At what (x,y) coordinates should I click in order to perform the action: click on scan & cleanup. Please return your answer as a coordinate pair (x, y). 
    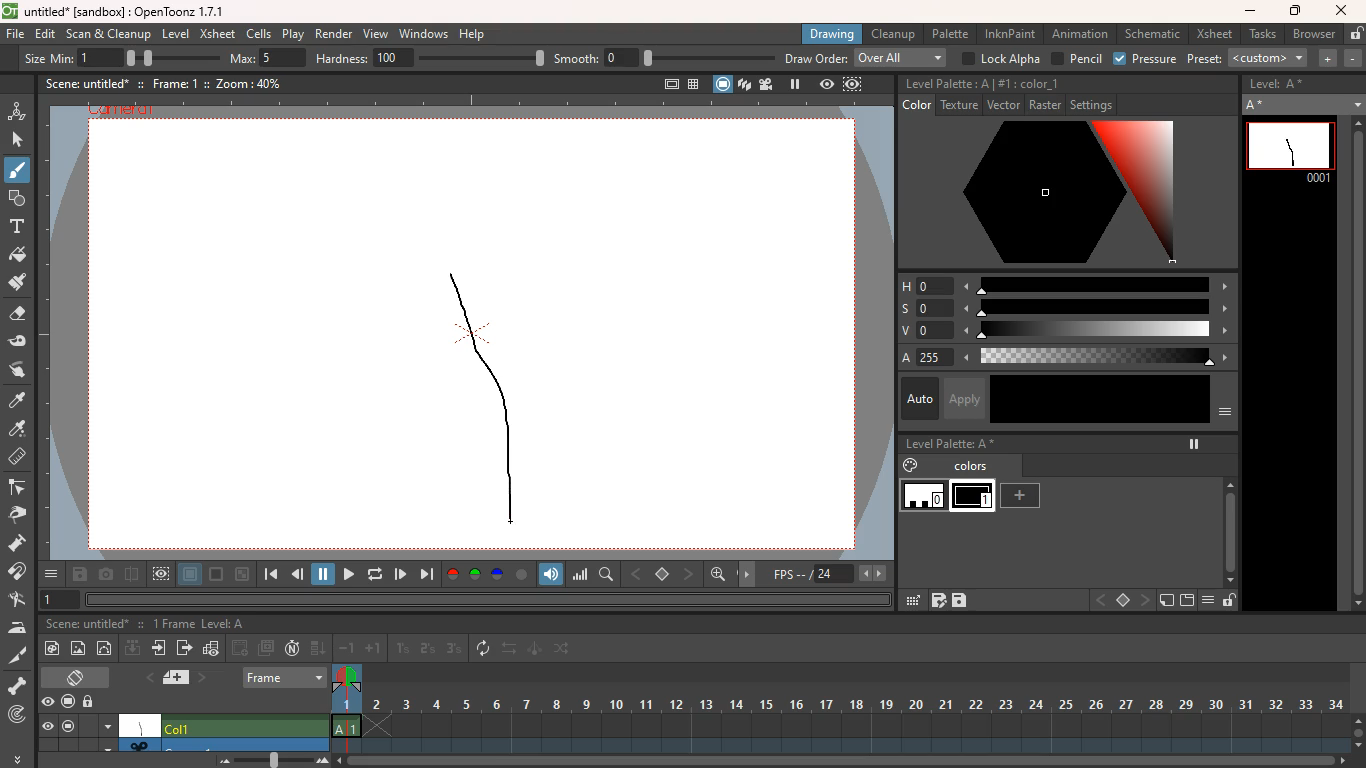
    Looking at the image, I should click on (110, 33).